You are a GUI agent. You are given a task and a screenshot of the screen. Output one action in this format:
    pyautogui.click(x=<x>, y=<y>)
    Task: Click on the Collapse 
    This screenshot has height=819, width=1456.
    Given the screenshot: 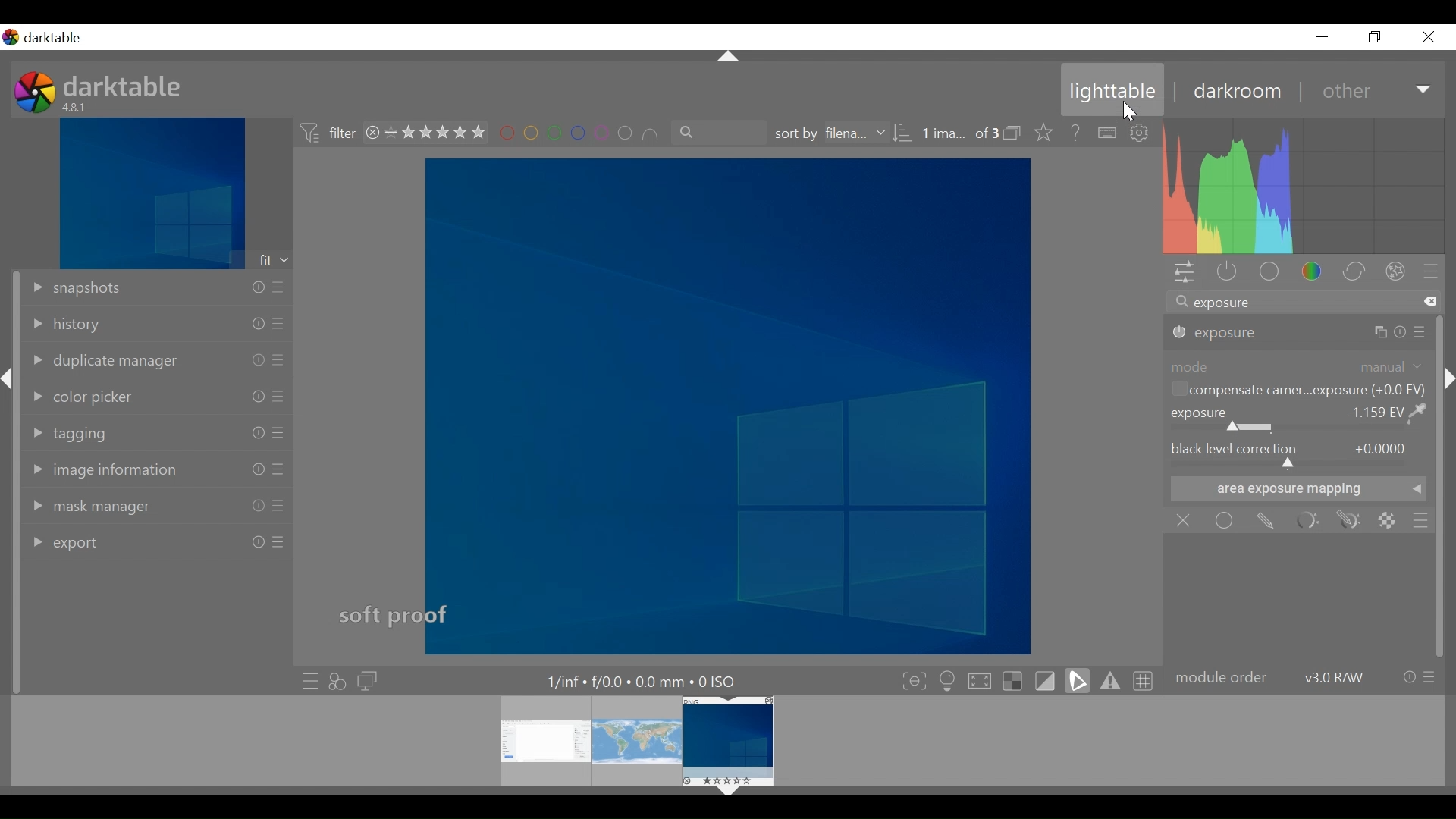 What is the action you would take?
    pyautogui.click(x=728, y=792)
    